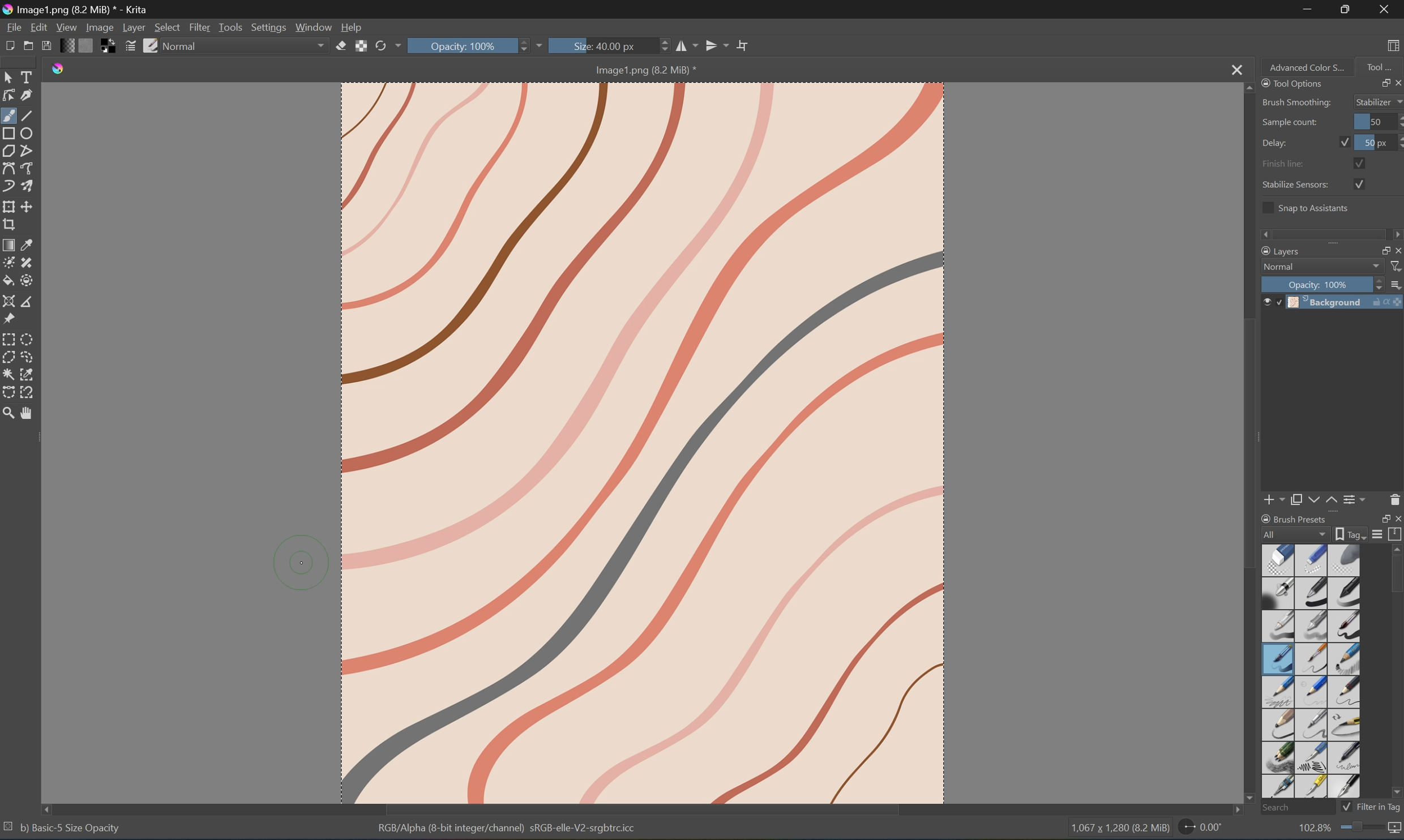  What do you see at coordinates (1360, 162) in the screenshot?
I see `Checkbox` at bounding box center [1360, 162].